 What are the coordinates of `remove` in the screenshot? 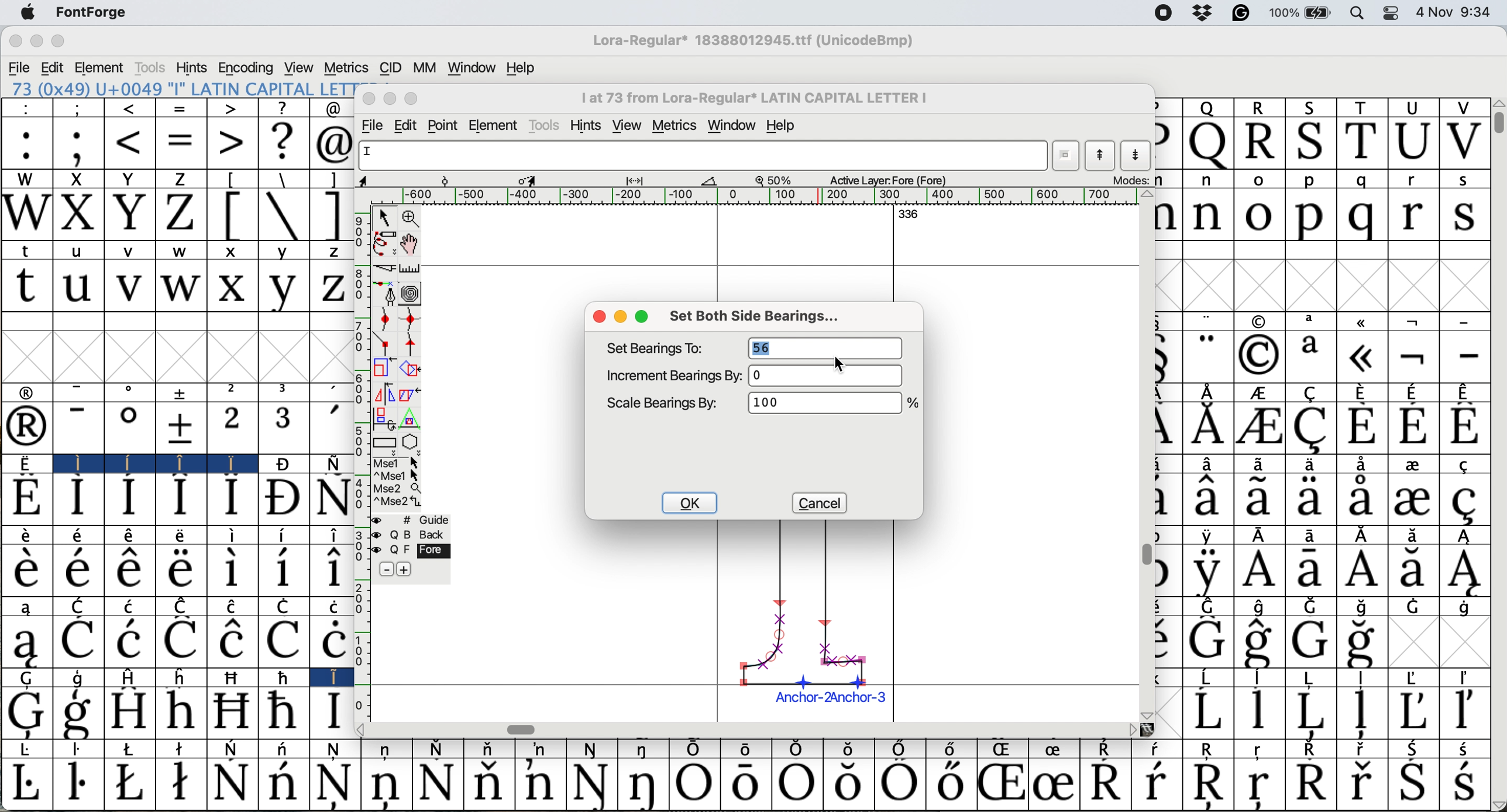 It's located at (386, 570).